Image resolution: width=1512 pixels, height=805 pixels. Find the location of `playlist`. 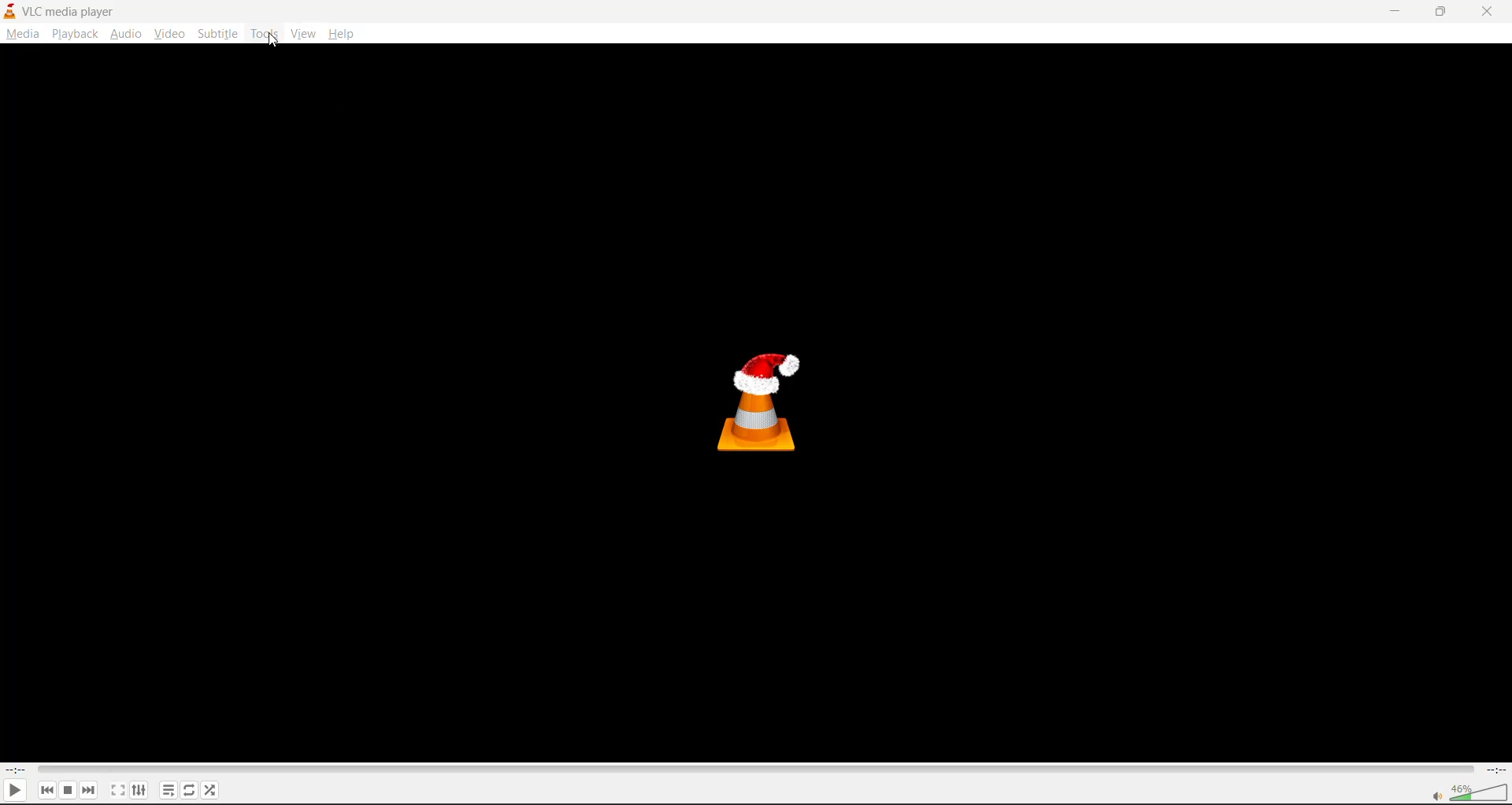

playlist is located at coordinates (168, 789).